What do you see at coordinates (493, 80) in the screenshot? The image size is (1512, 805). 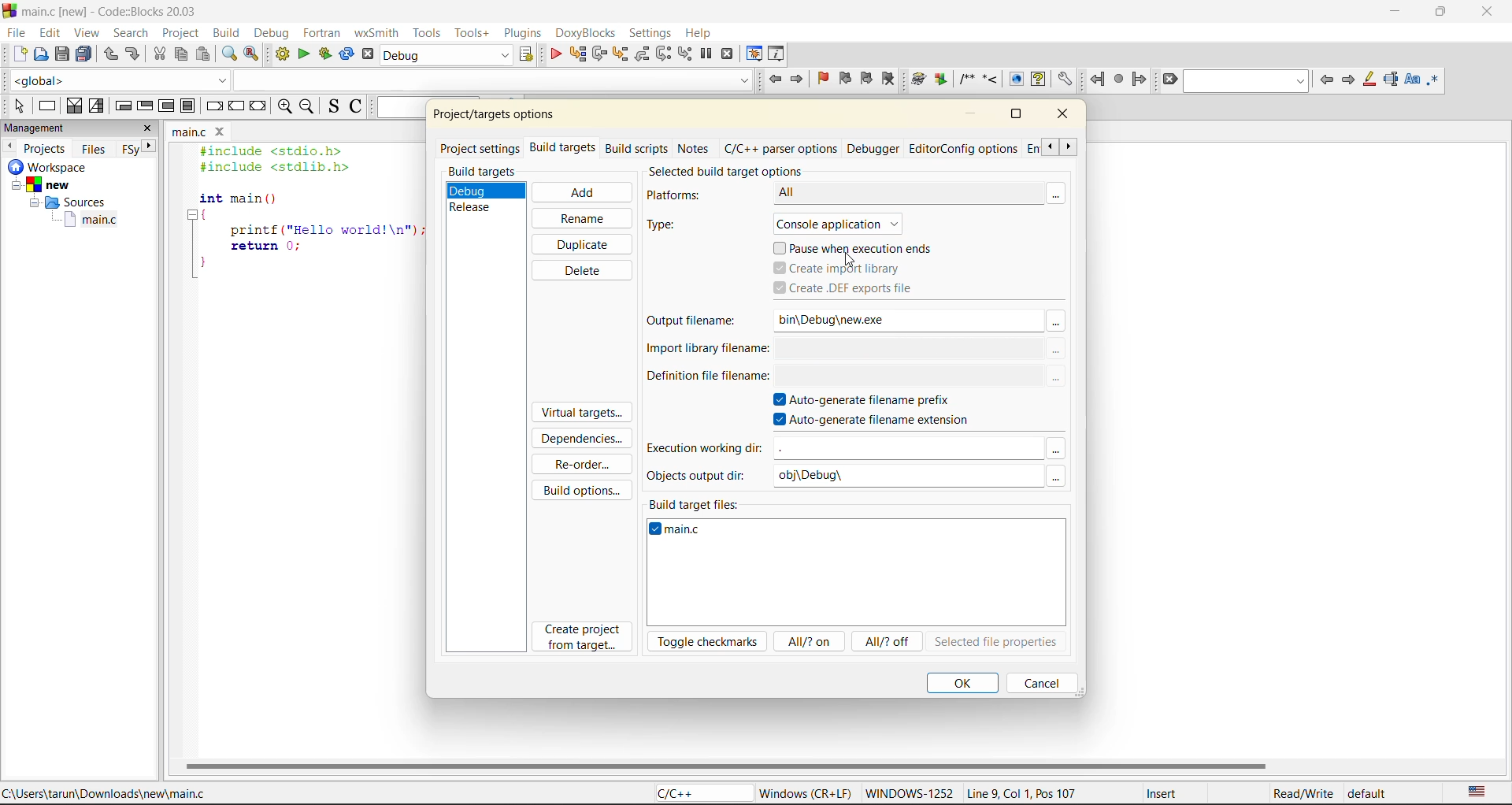 I see `Code Completion Search` at bounding box center [493, 80].